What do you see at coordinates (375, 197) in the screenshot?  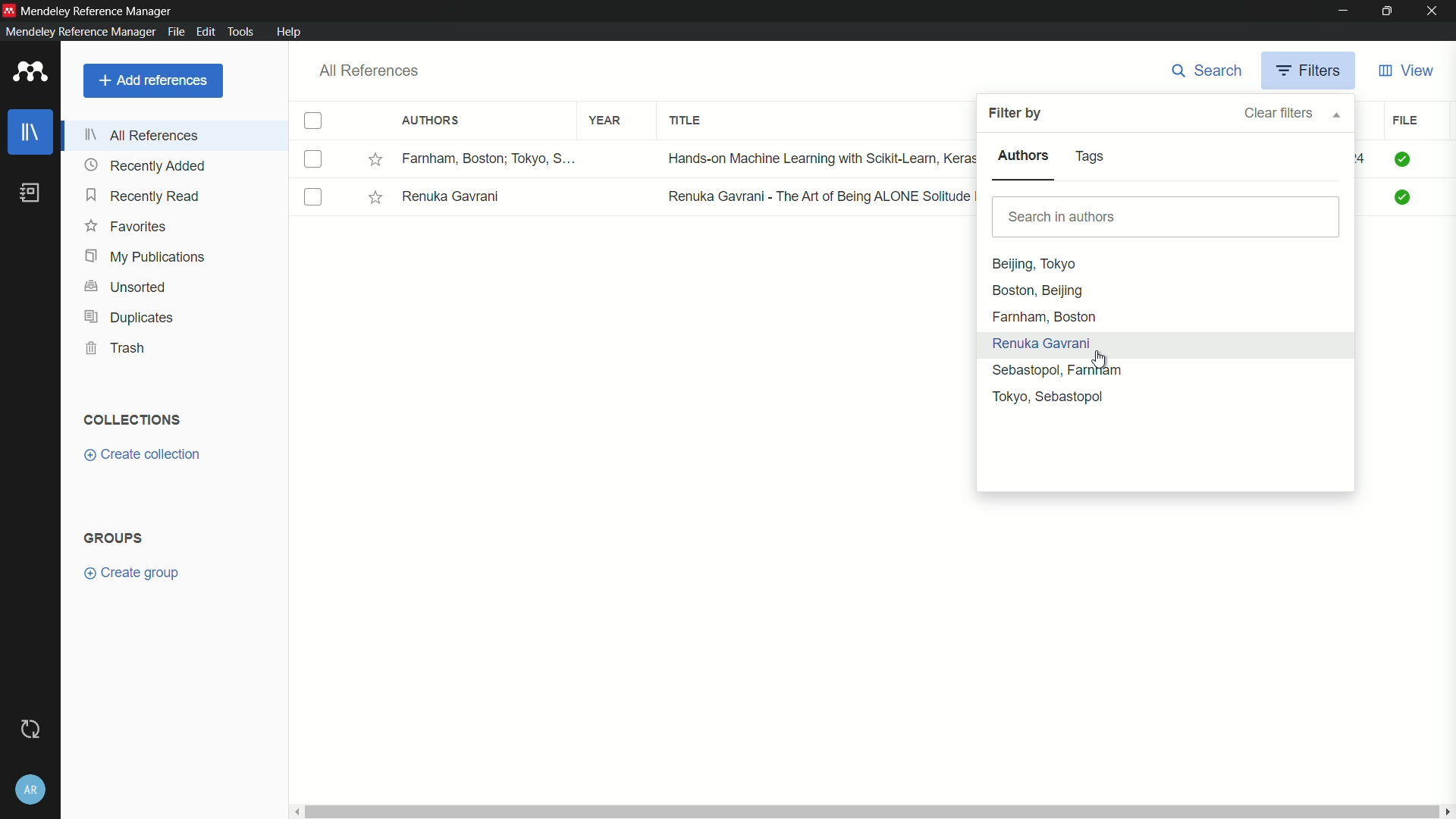 I see `Starred` at bounding box center [375, 197].